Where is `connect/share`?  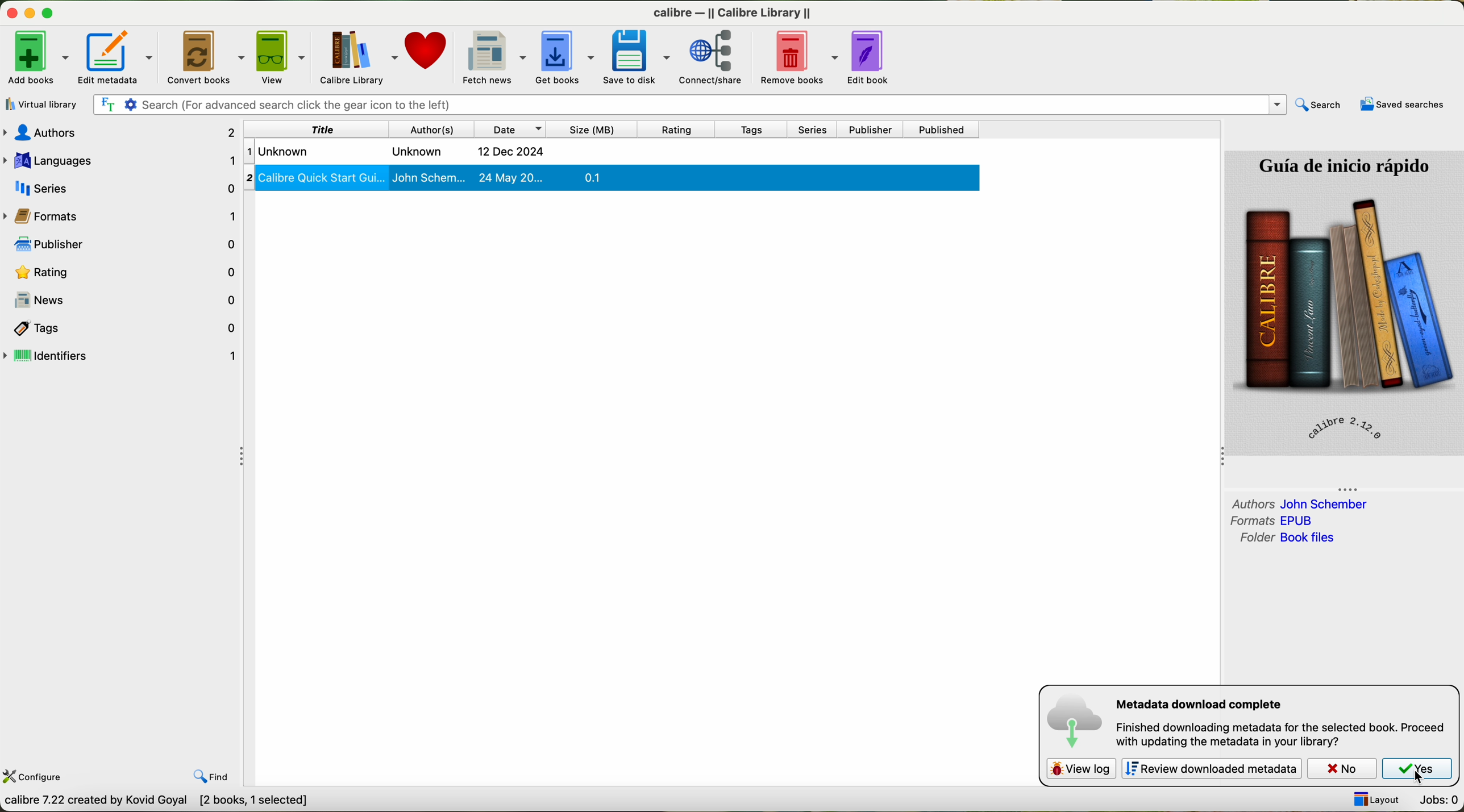
connect/share is located at coordinates (710, 59).